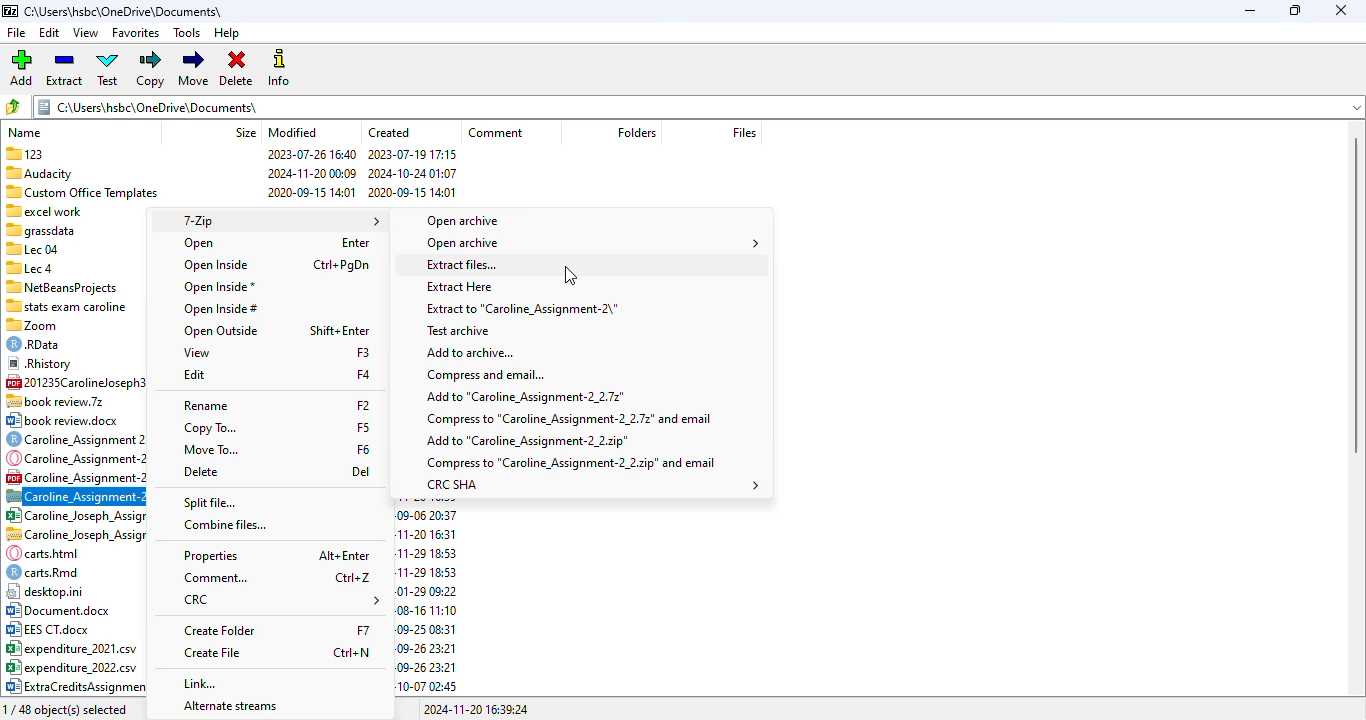 The height and width of the screenshot is (720, 1366). Describe the element at coordinates (282, 600) in the screenshot. I see `CRC` at that location.